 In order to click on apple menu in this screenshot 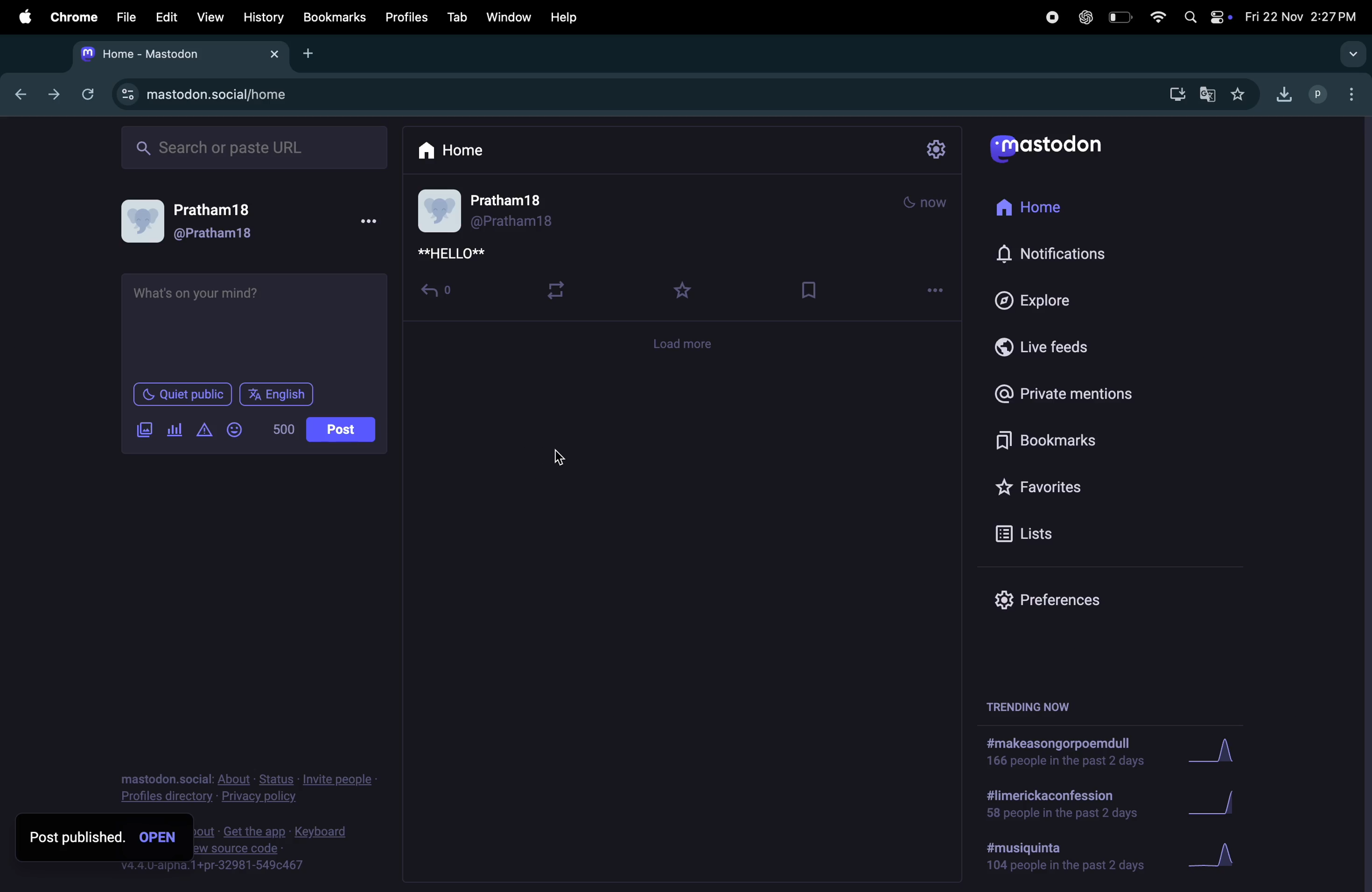, I will do `click(20, 16)`.